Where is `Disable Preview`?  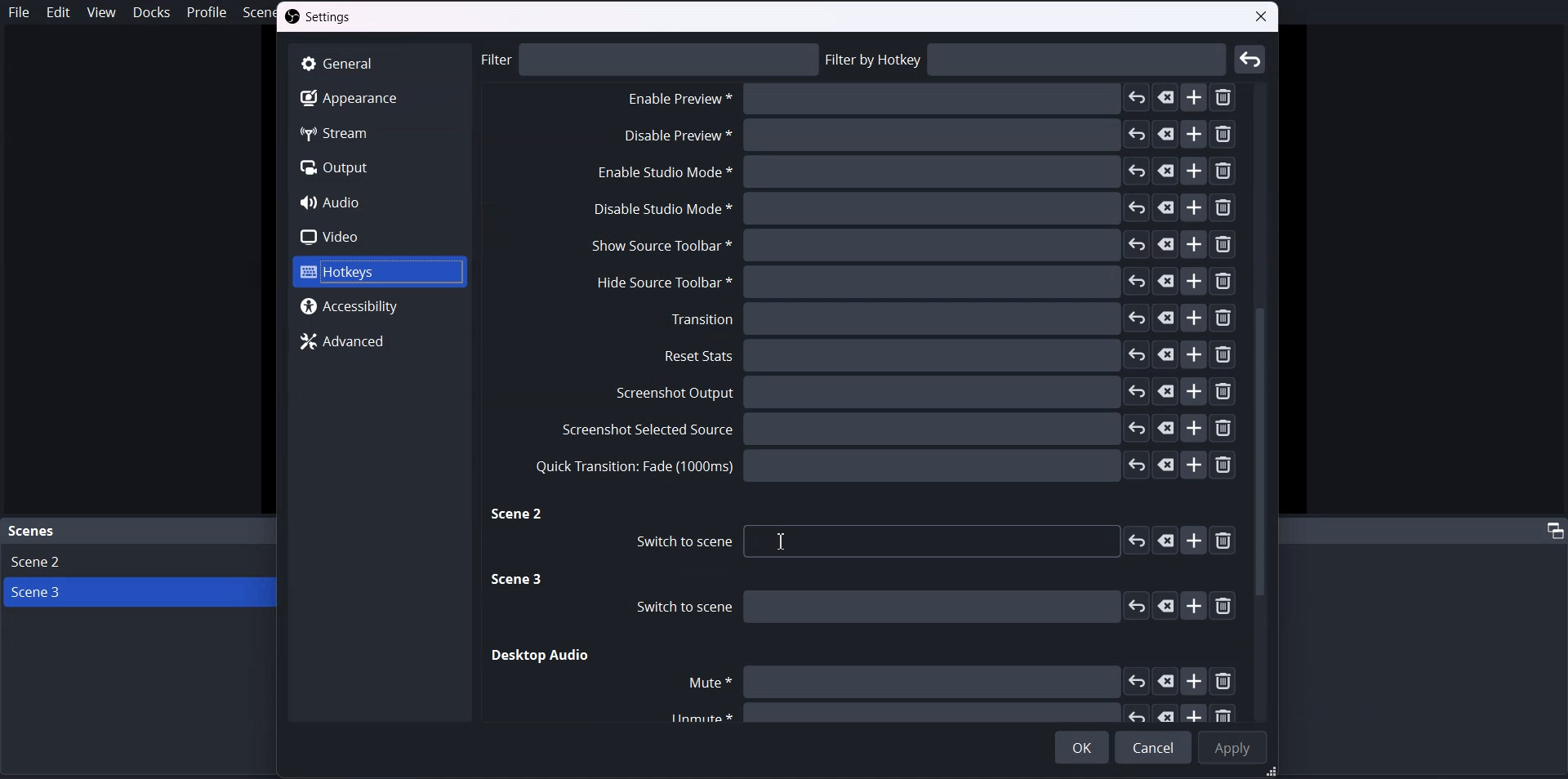
Disable Preview is located at coordinates (924, 101).